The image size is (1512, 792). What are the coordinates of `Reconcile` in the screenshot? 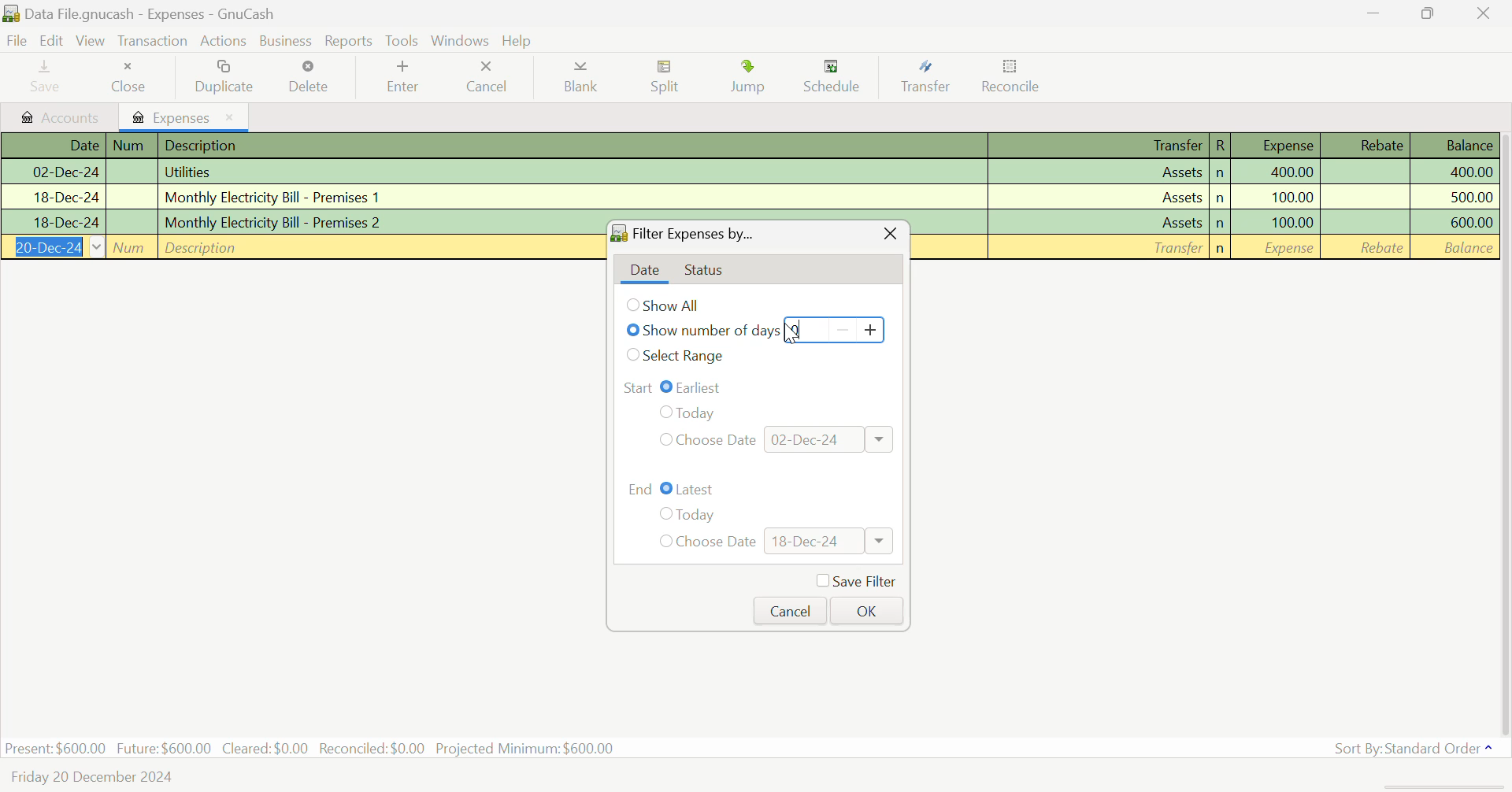 It's located at (1014, 80).